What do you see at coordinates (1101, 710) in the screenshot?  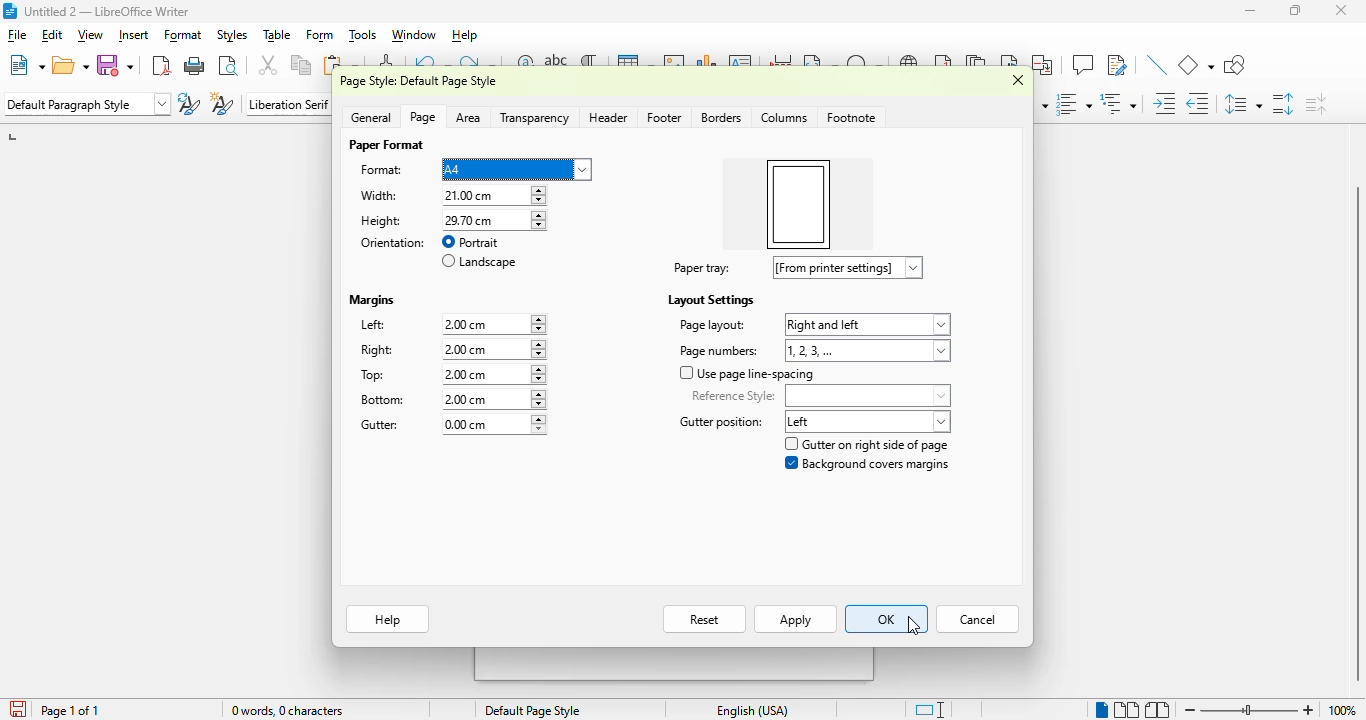 I see `single-page view` at bounding box center [1101, 710].